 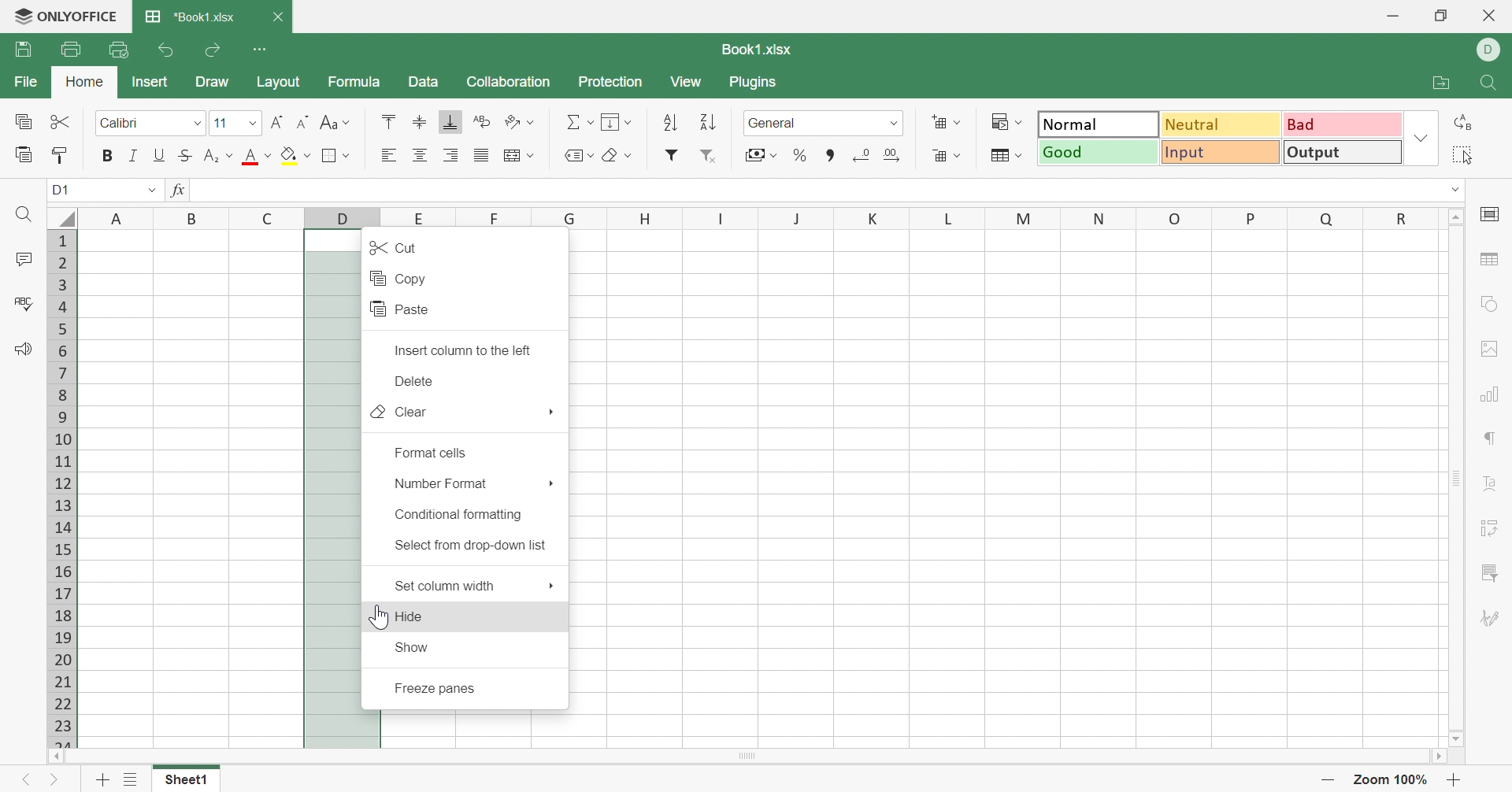 I want to click on Underline, so click(x=161, y=154).